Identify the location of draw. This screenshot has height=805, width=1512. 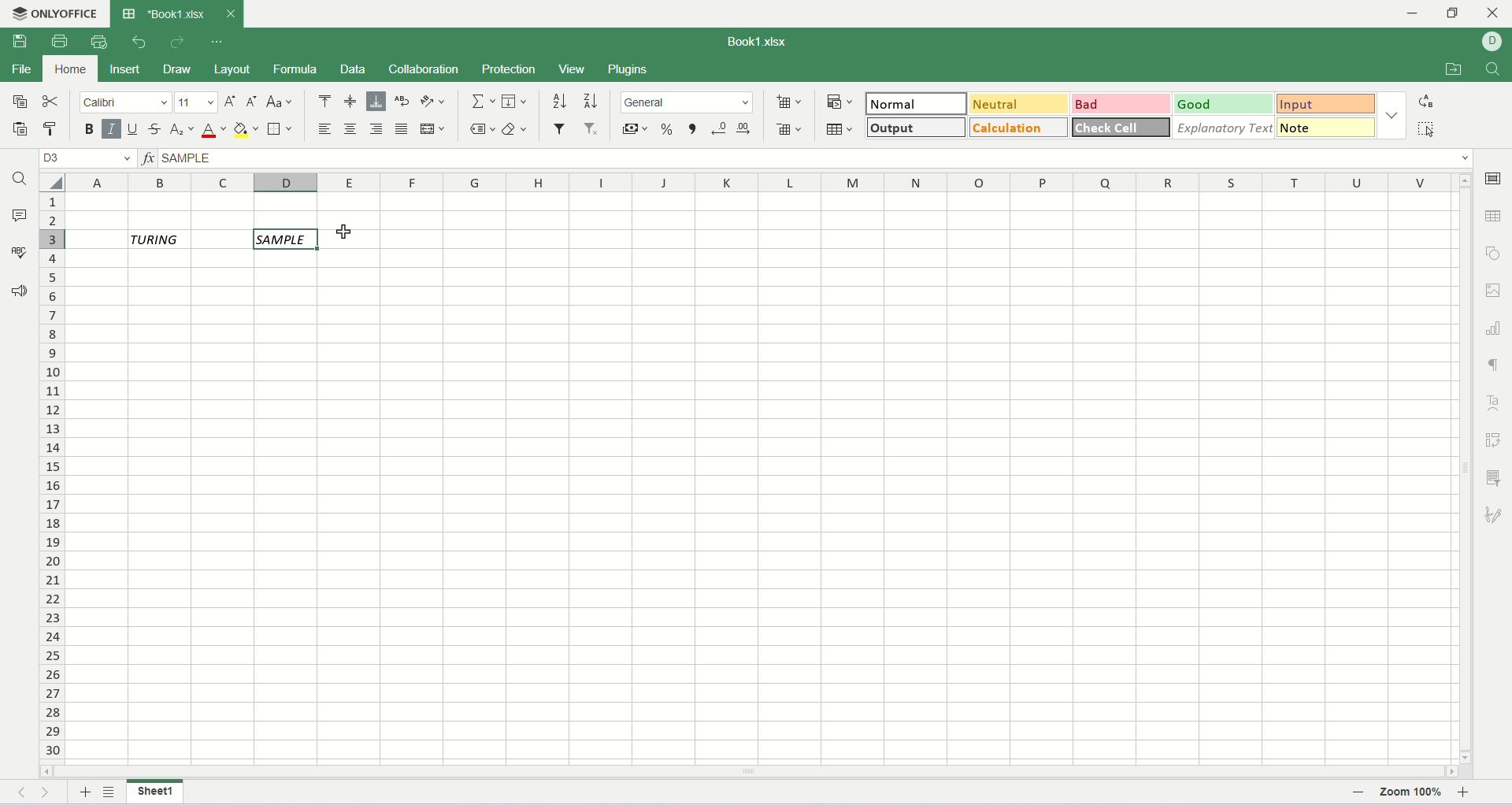
(183, 71).